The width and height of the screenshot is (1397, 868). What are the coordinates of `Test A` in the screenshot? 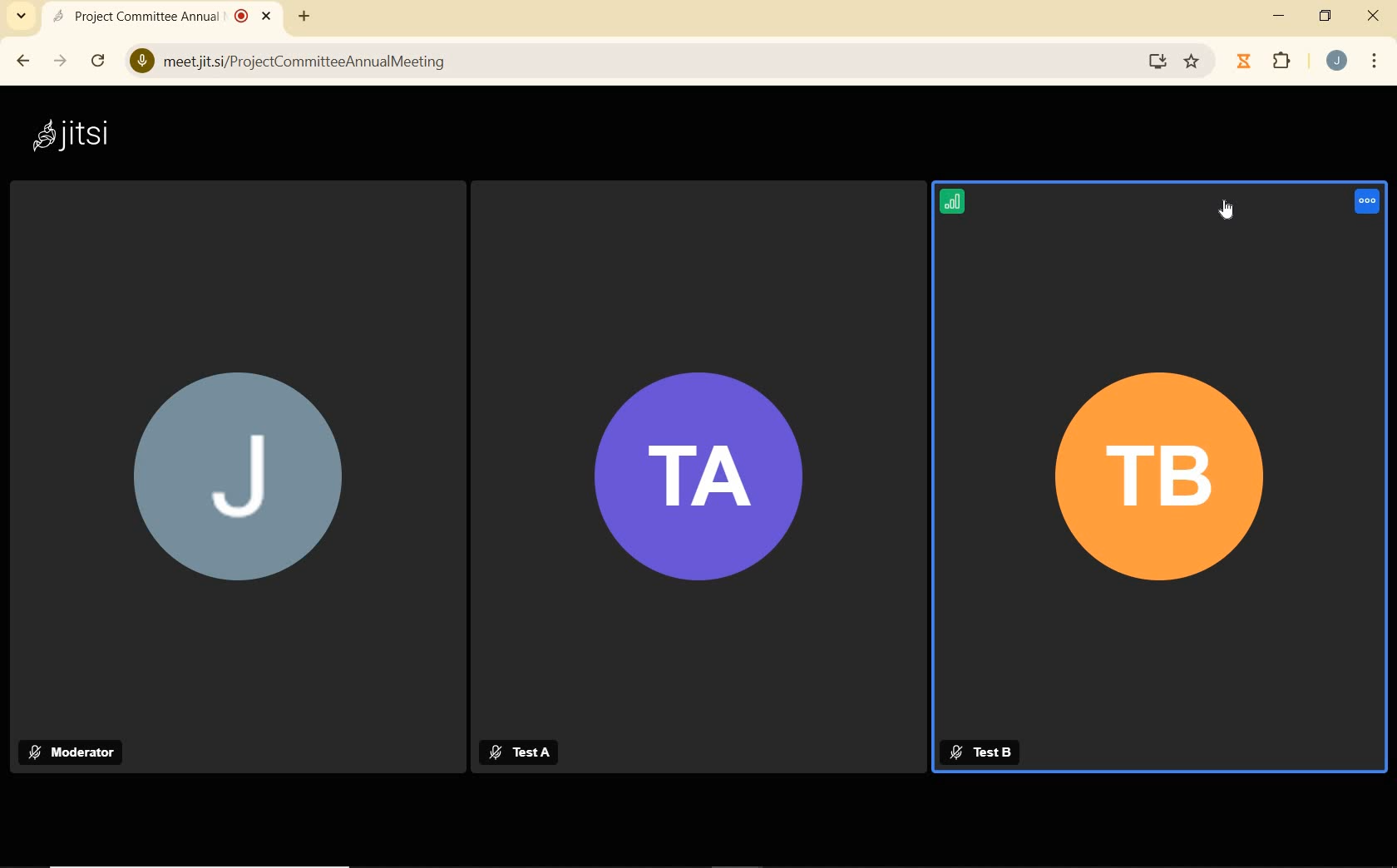 It's located at (518, 753).